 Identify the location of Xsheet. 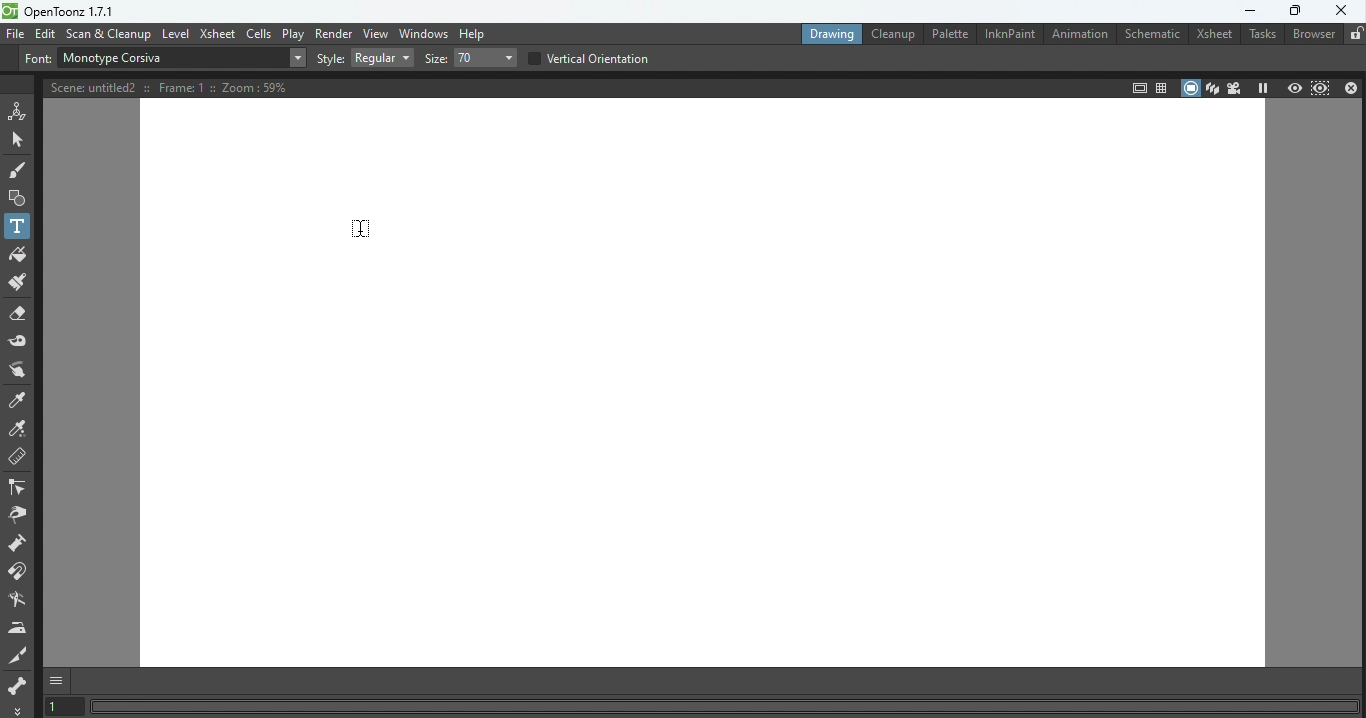
(220, 34).